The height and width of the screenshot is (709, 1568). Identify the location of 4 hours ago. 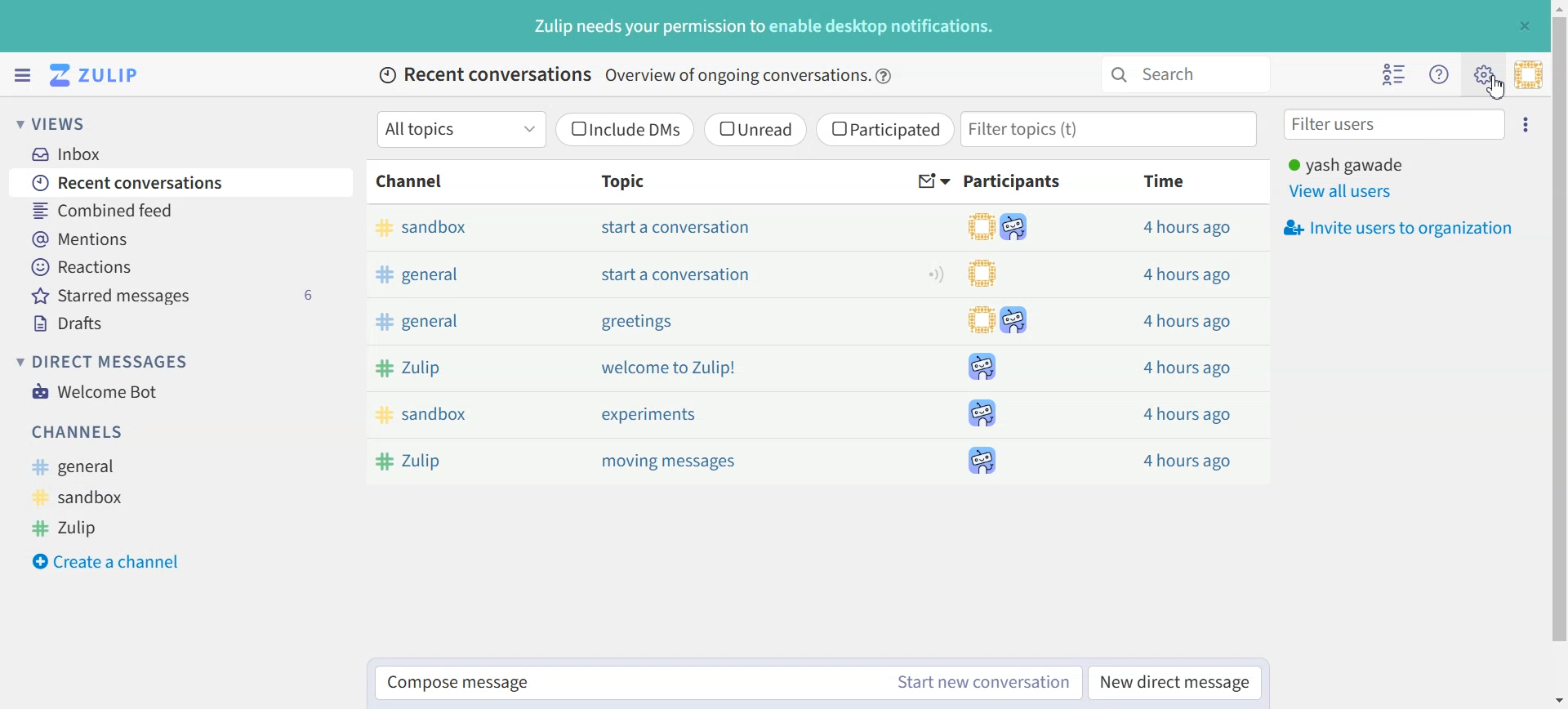
(1181, 412).